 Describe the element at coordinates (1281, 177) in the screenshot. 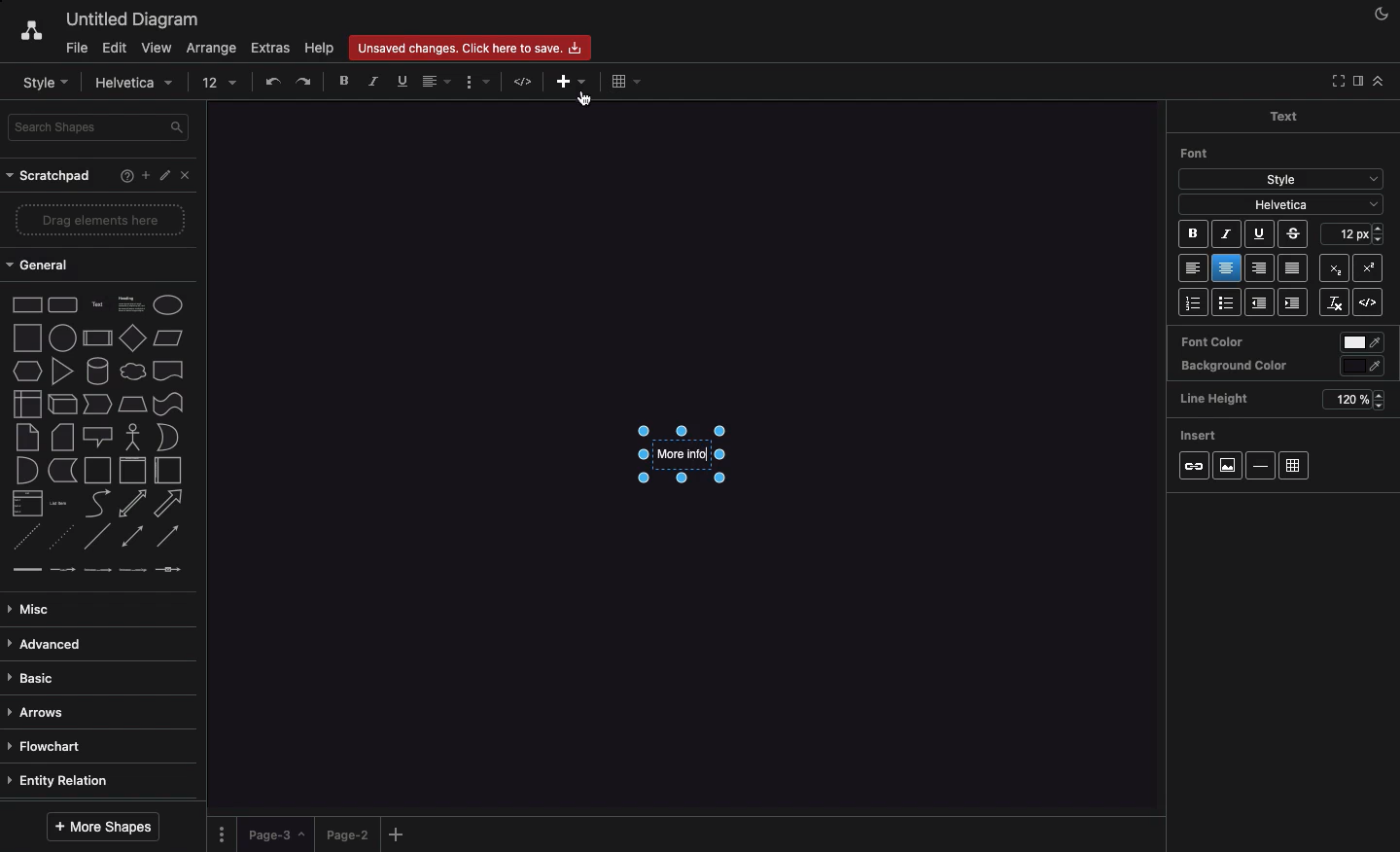

I see `Style` at that location.